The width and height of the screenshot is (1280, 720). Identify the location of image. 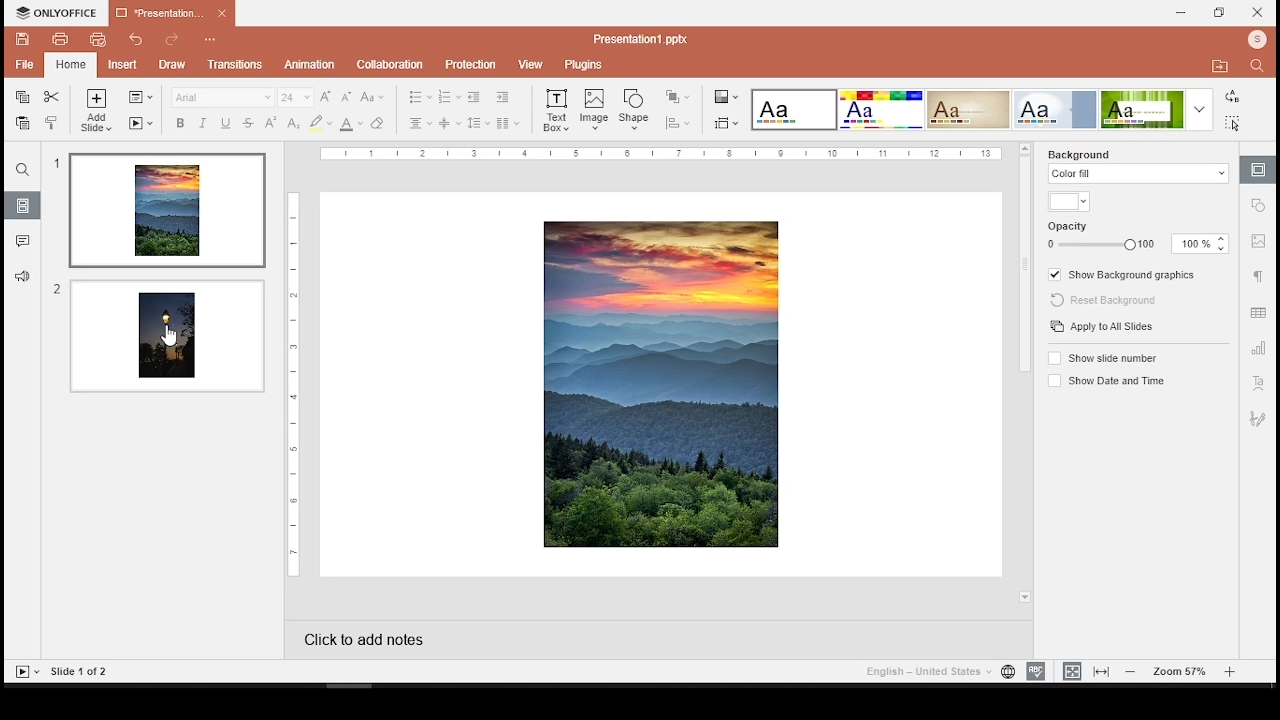
(662, 383).